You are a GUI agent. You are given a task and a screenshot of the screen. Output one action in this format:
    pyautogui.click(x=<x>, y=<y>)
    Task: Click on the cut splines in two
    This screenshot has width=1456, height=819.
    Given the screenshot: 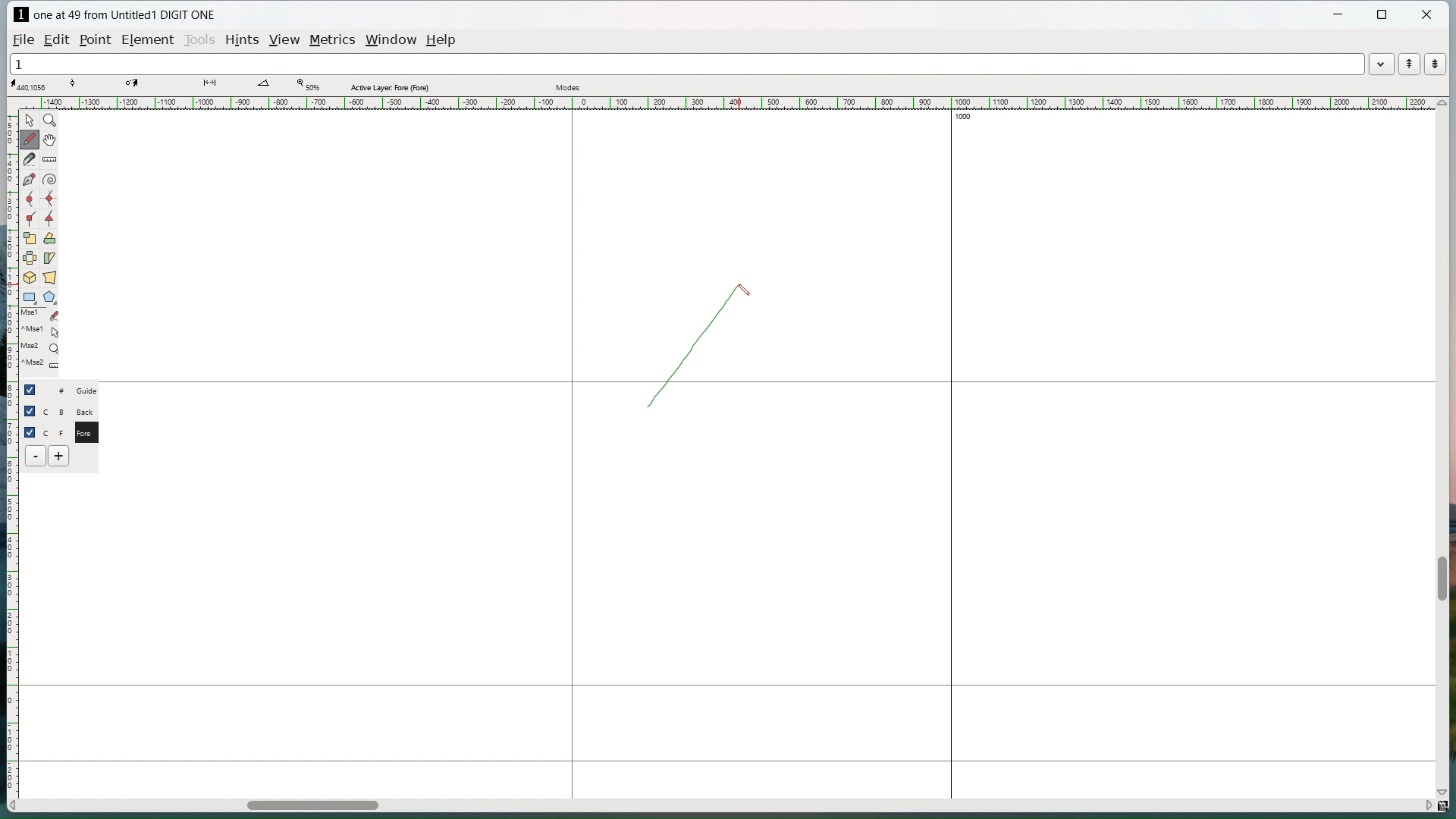 What is the action you would take?
    pyautogui.click(x=30, y=159)
    